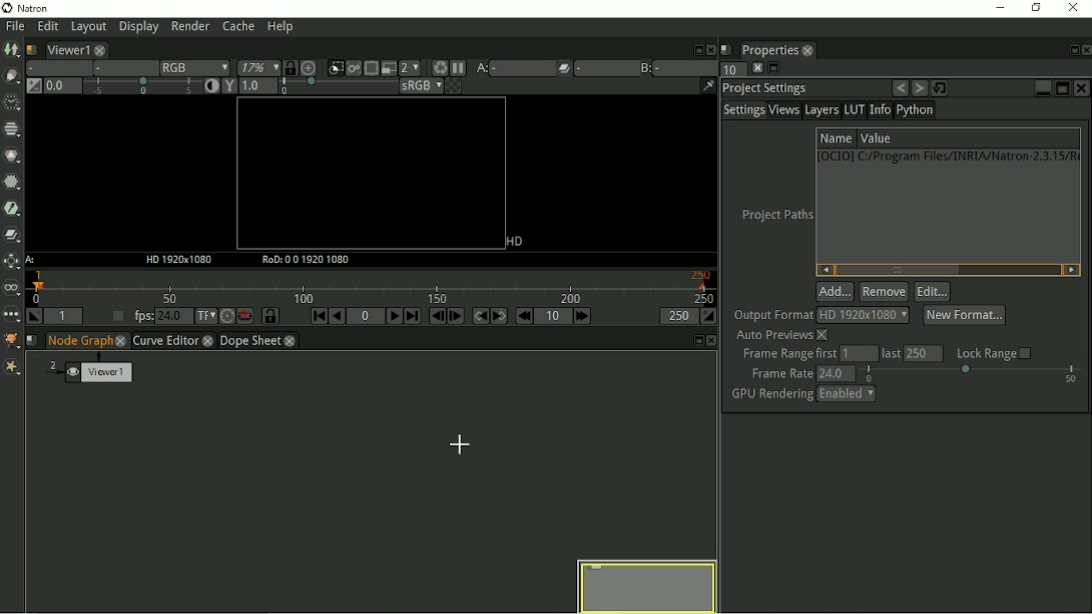 This screenshot has height=614, width=1092. What do you see at coordinates (201, 317) in the screenshot?
I see `Set time display format` at bounding box center [201, 317].